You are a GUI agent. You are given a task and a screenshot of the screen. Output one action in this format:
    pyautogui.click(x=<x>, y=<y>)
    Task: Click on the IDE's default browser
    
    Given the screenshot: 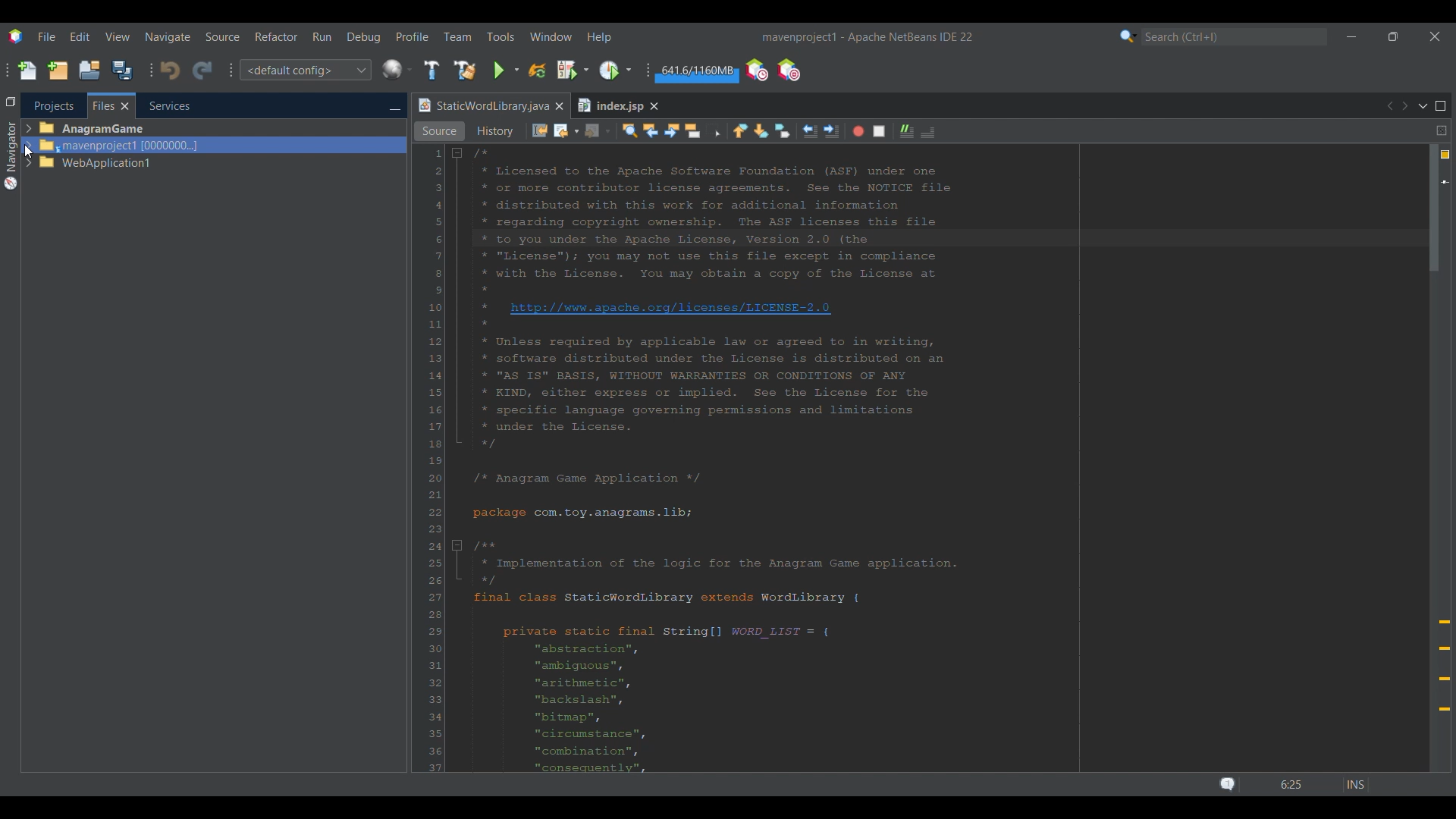 What is the action you would take?
    pyautogui.click(x=397, y=70)
    